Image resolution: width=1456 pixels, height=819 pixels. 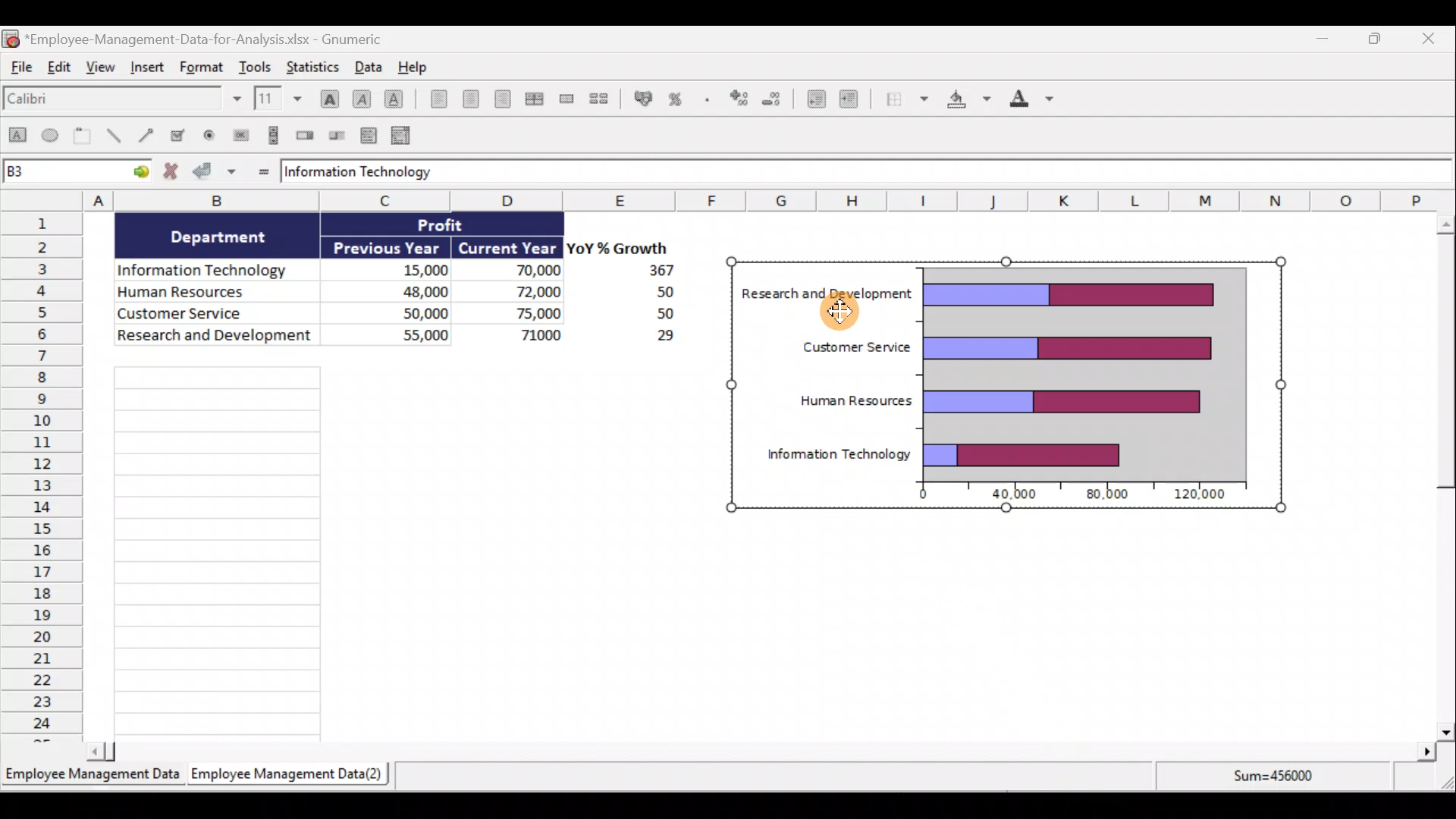 I want to click on Columns, so click(x=716, y=201).